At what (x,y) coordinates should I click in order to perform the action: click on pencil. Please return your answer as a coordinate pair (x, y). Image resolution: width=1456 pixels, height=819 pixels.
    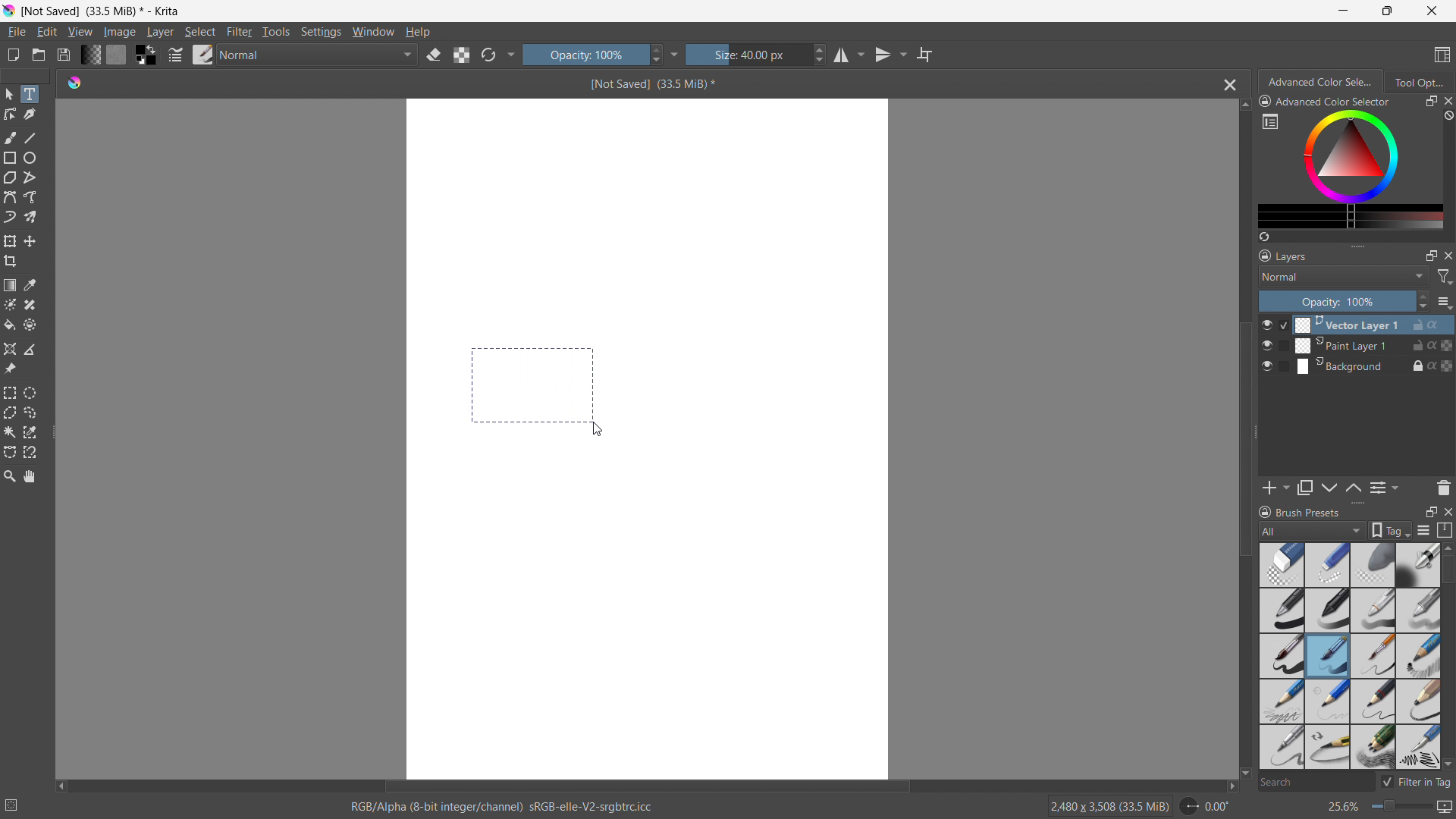
    Looking at the image, I should click on (1279, 747).